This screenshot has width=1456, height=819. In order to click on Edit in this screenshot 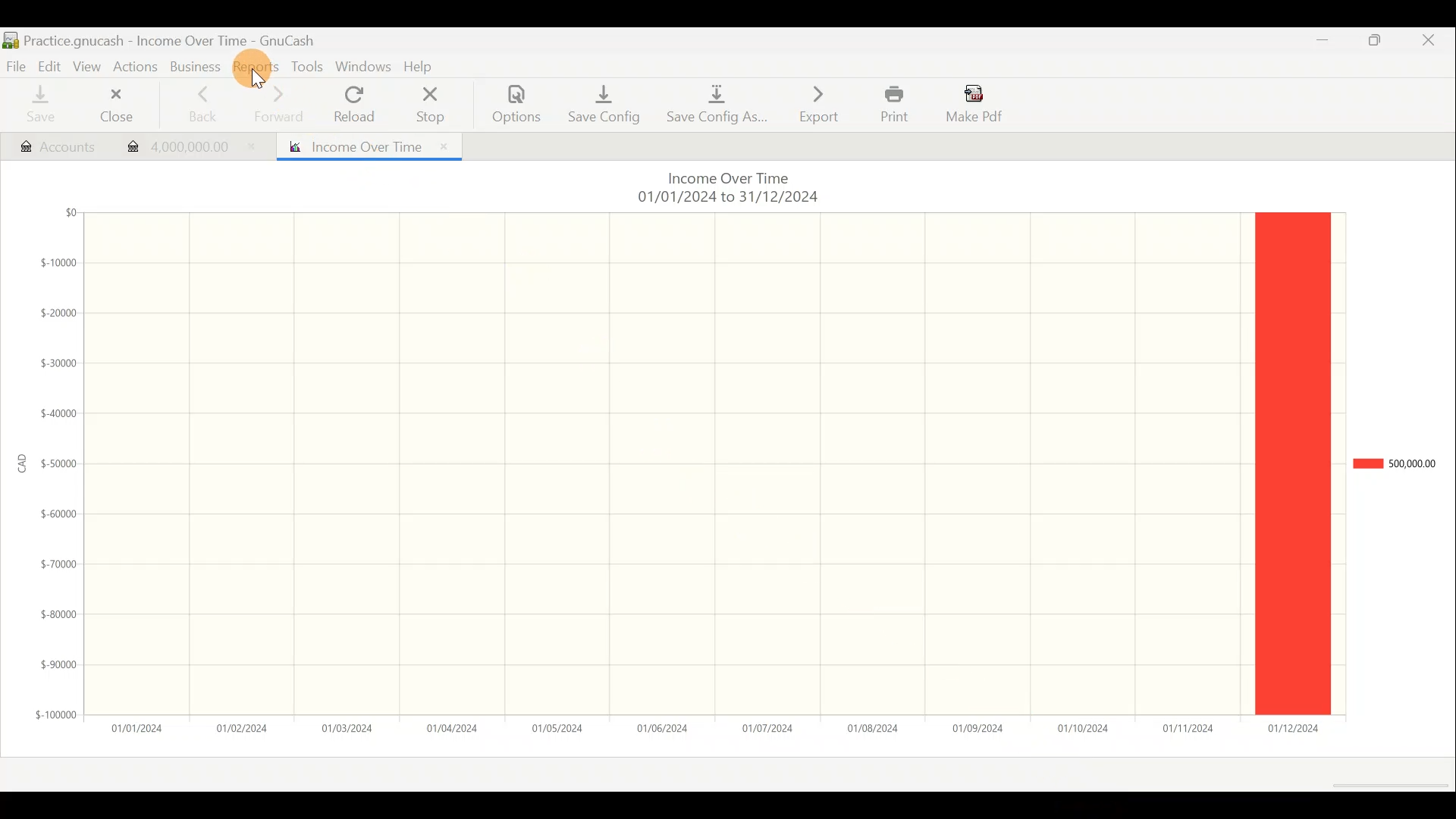, I will do `click(49, 65)`.